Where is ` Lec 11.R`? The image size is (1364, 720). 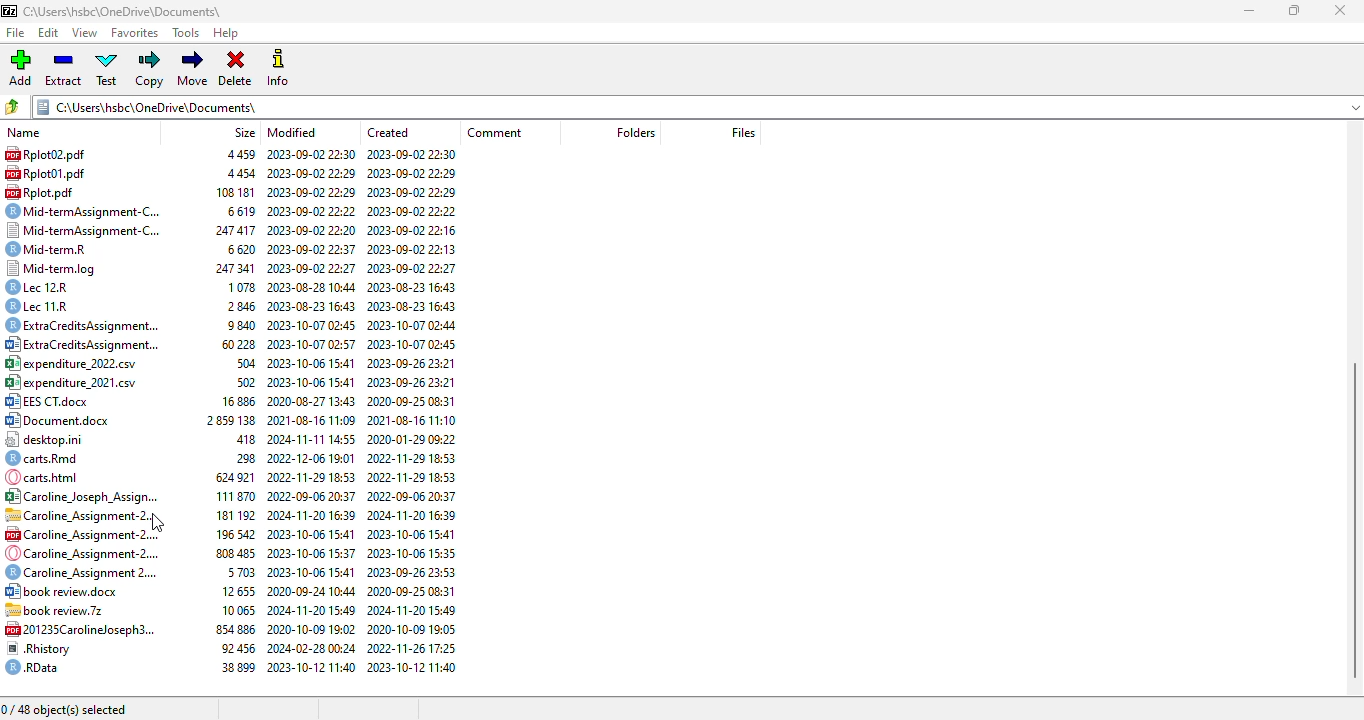  Lec 11.R is located at coordinates (46, 306).